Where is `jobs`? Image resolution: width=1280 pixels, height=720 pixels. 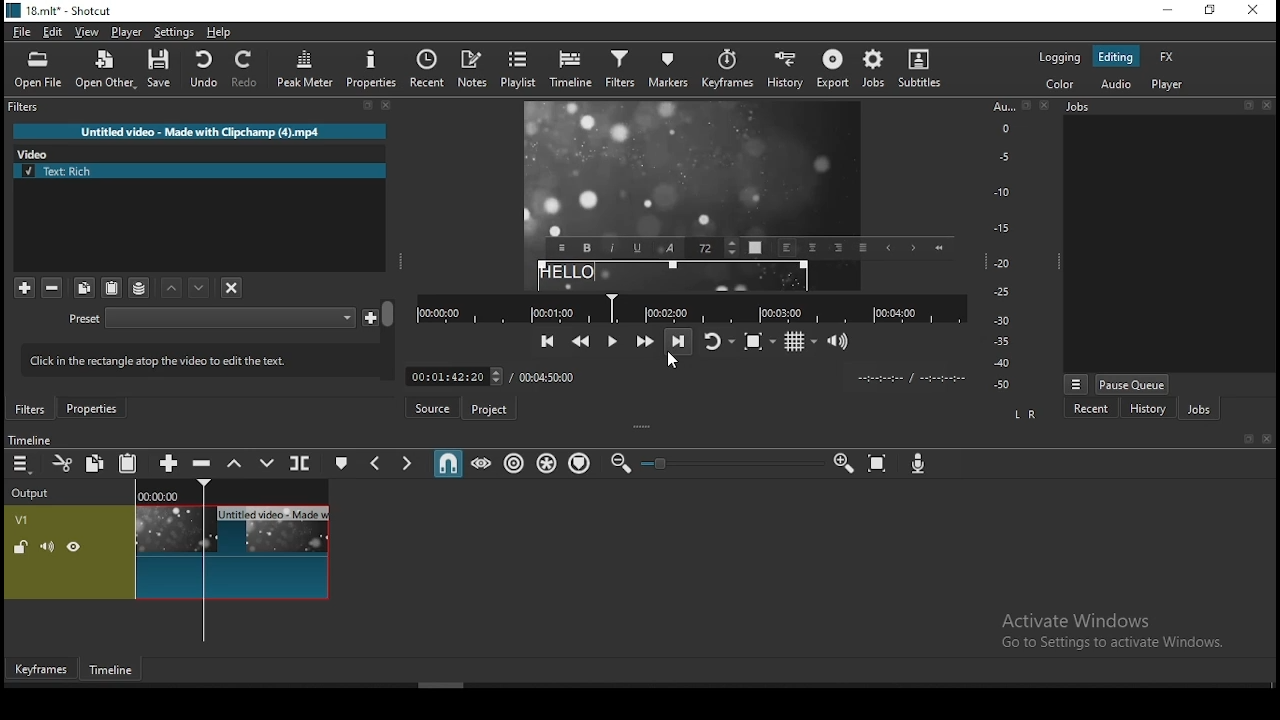 jobs is located at coordinates (875, 70).